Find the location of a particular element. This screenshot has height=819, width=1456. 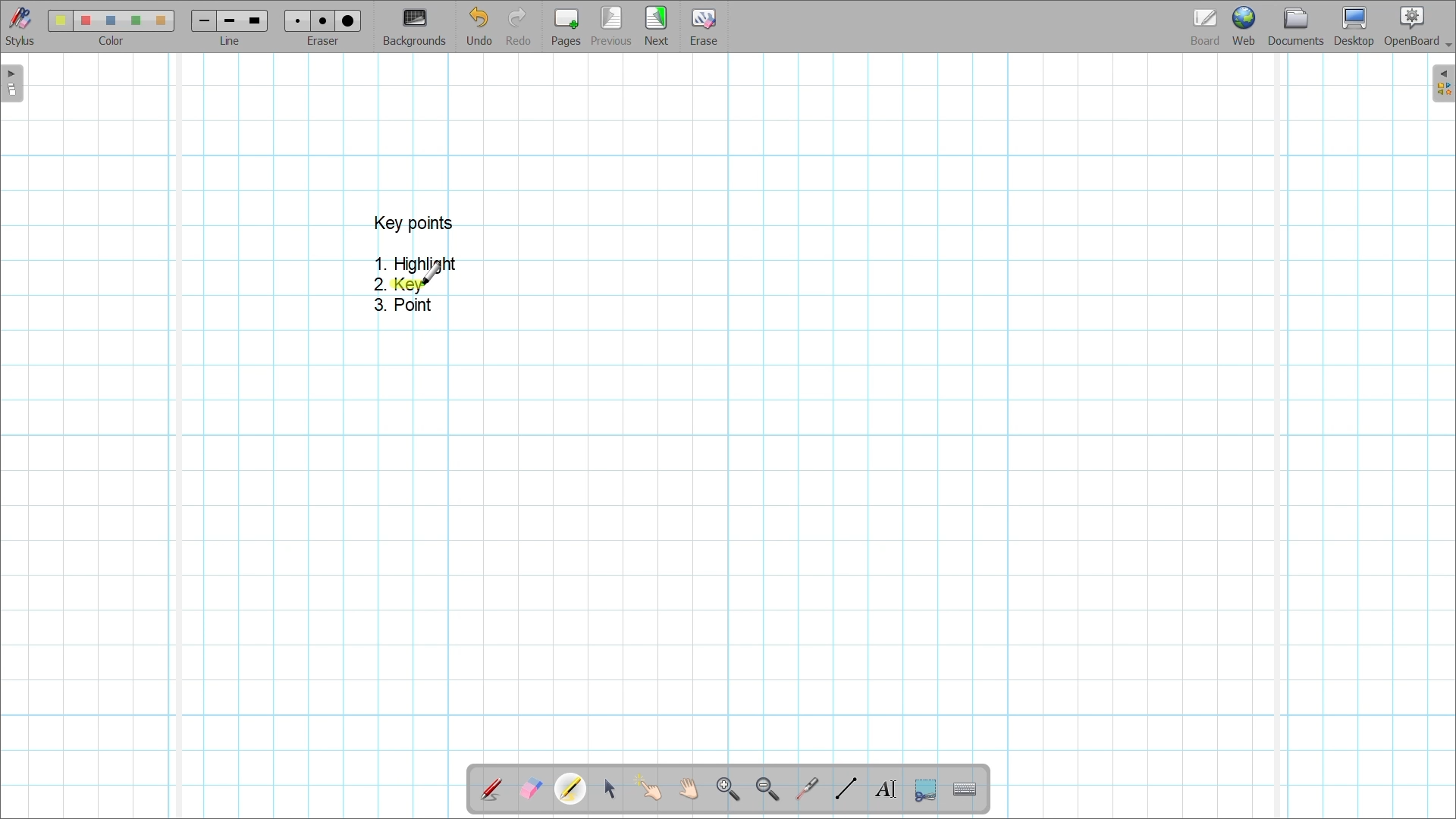

eraser 3 is located at coordinates (349, 20).